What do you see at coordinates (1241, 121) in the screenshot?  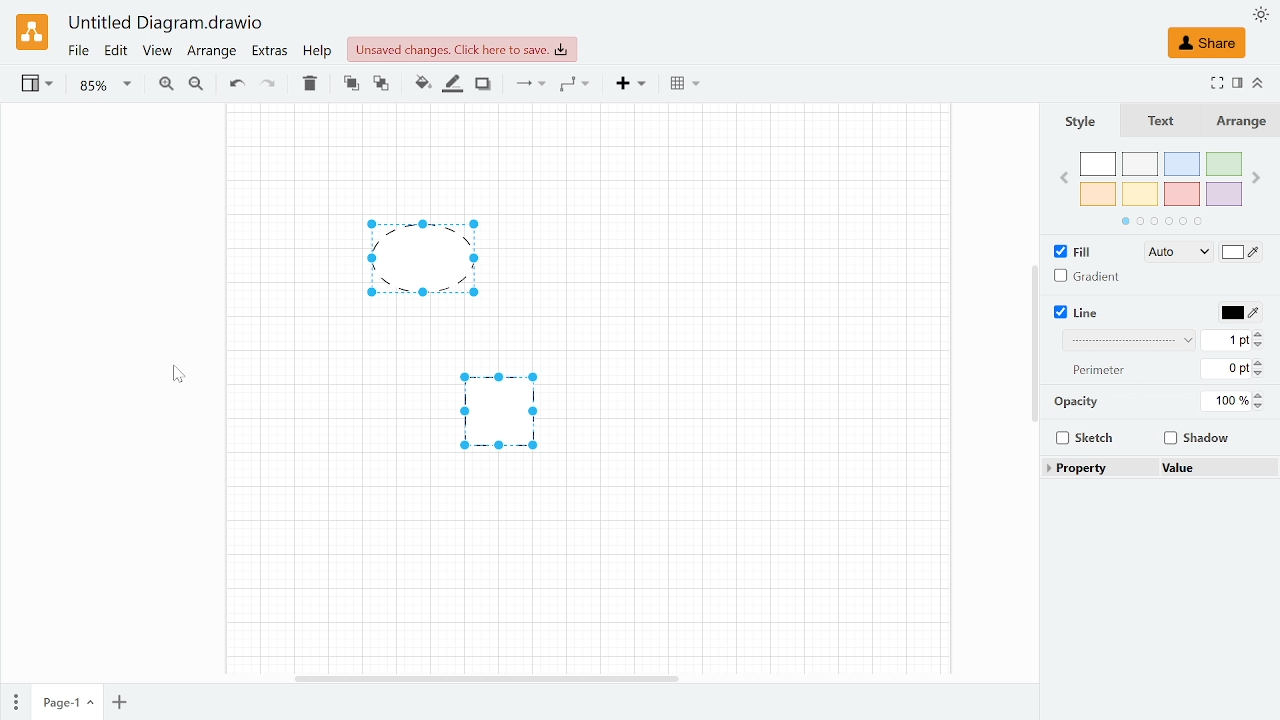 I see `Arrange` at bounding box center [1241, 121].